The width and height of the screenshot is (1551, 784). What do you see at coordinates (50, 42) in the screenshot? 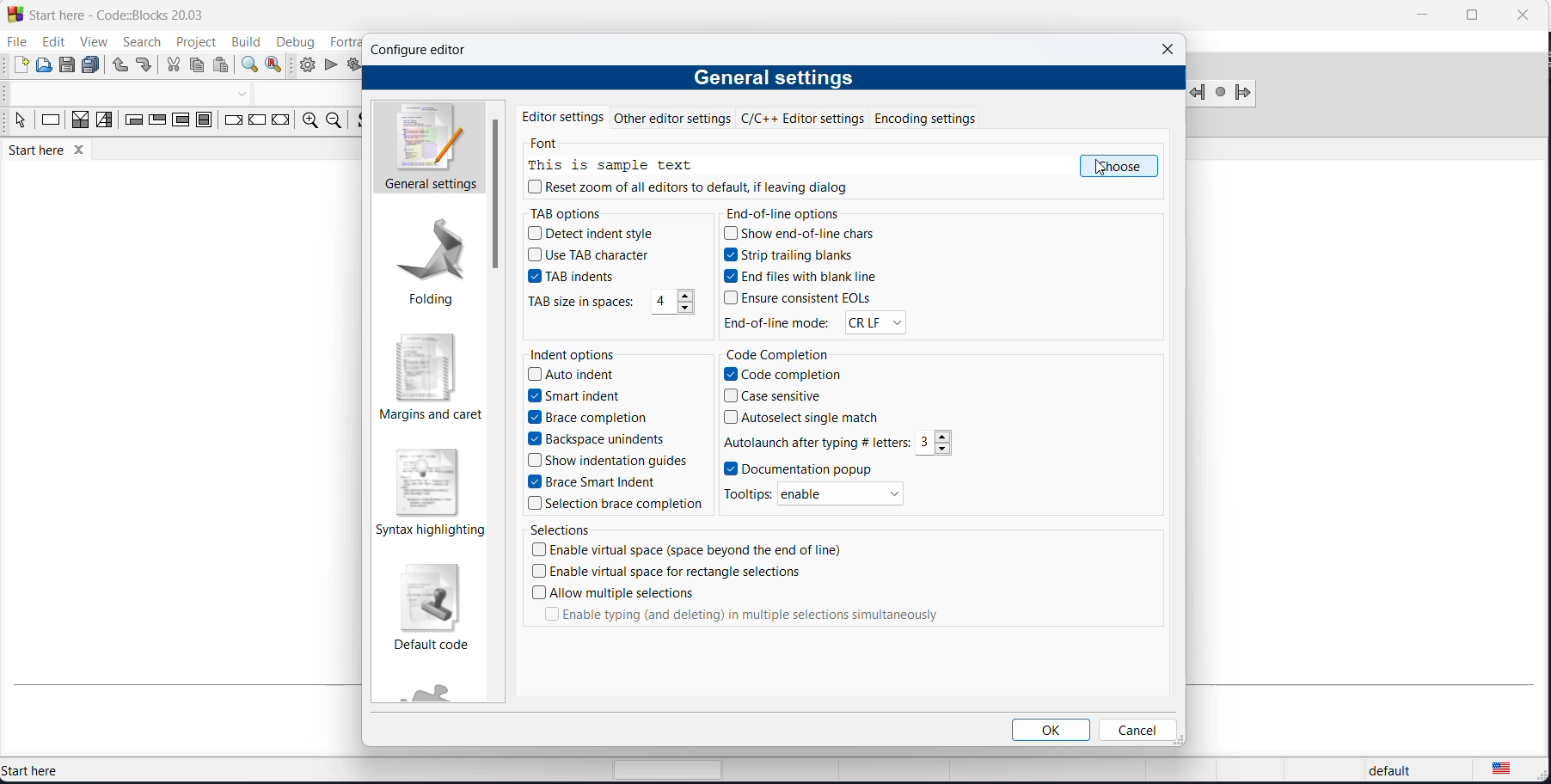
I see `edit` at bounding box center [50, 42].